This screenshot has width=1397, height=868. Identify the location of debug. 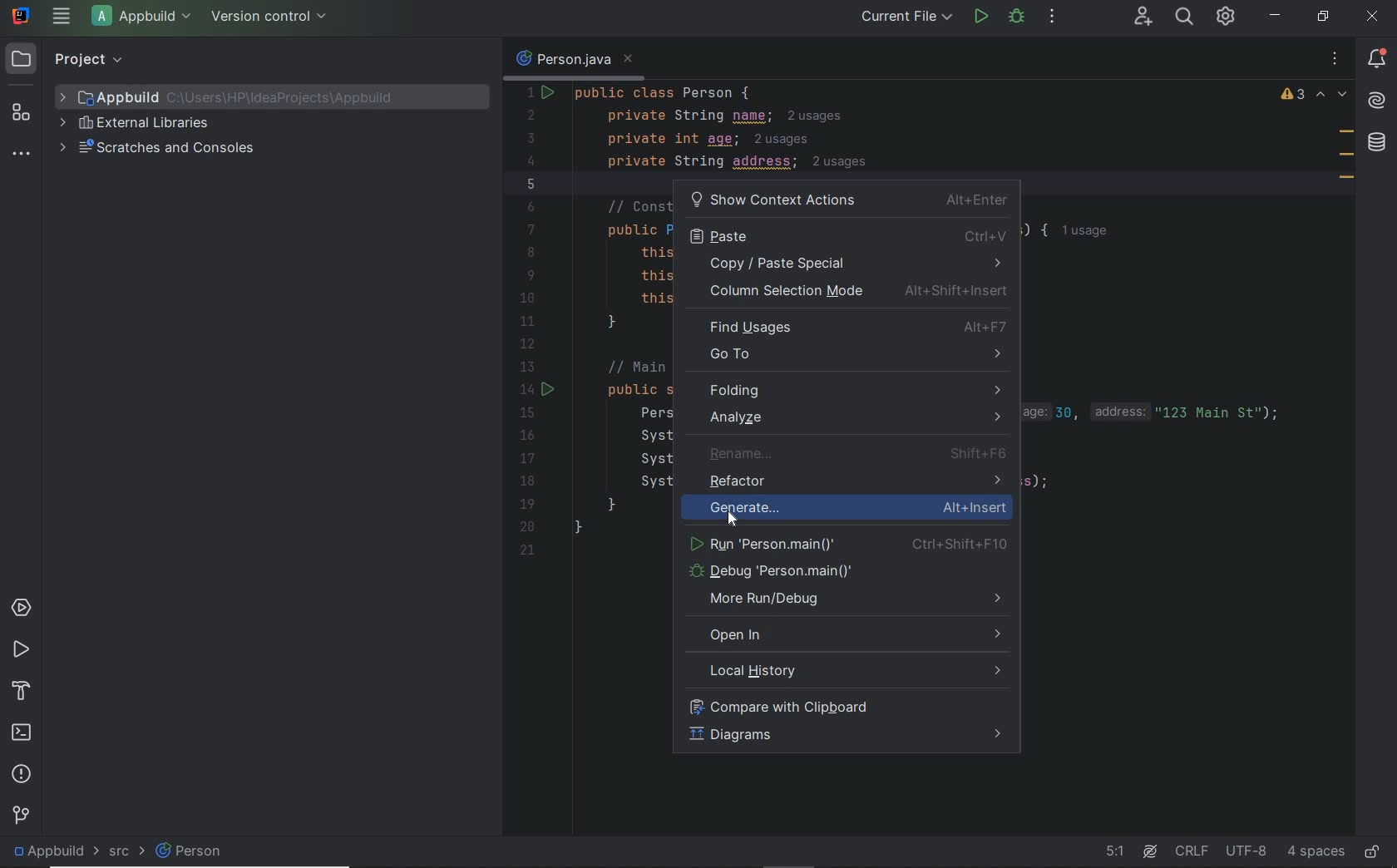
(1015, 17).